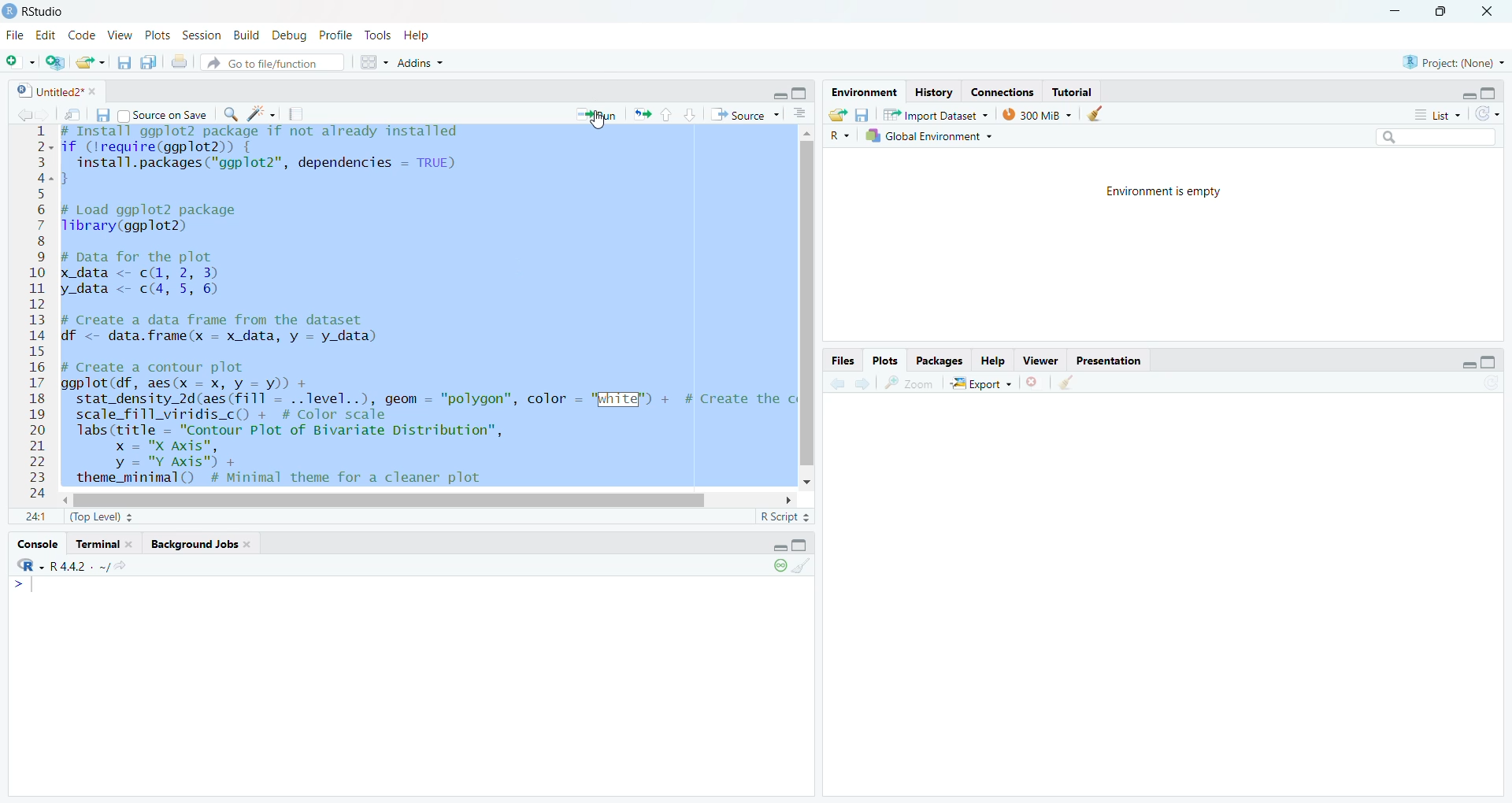  Describe the element at coordinates (1110, 361) in the screenshot. I see `Presentation` at that location.